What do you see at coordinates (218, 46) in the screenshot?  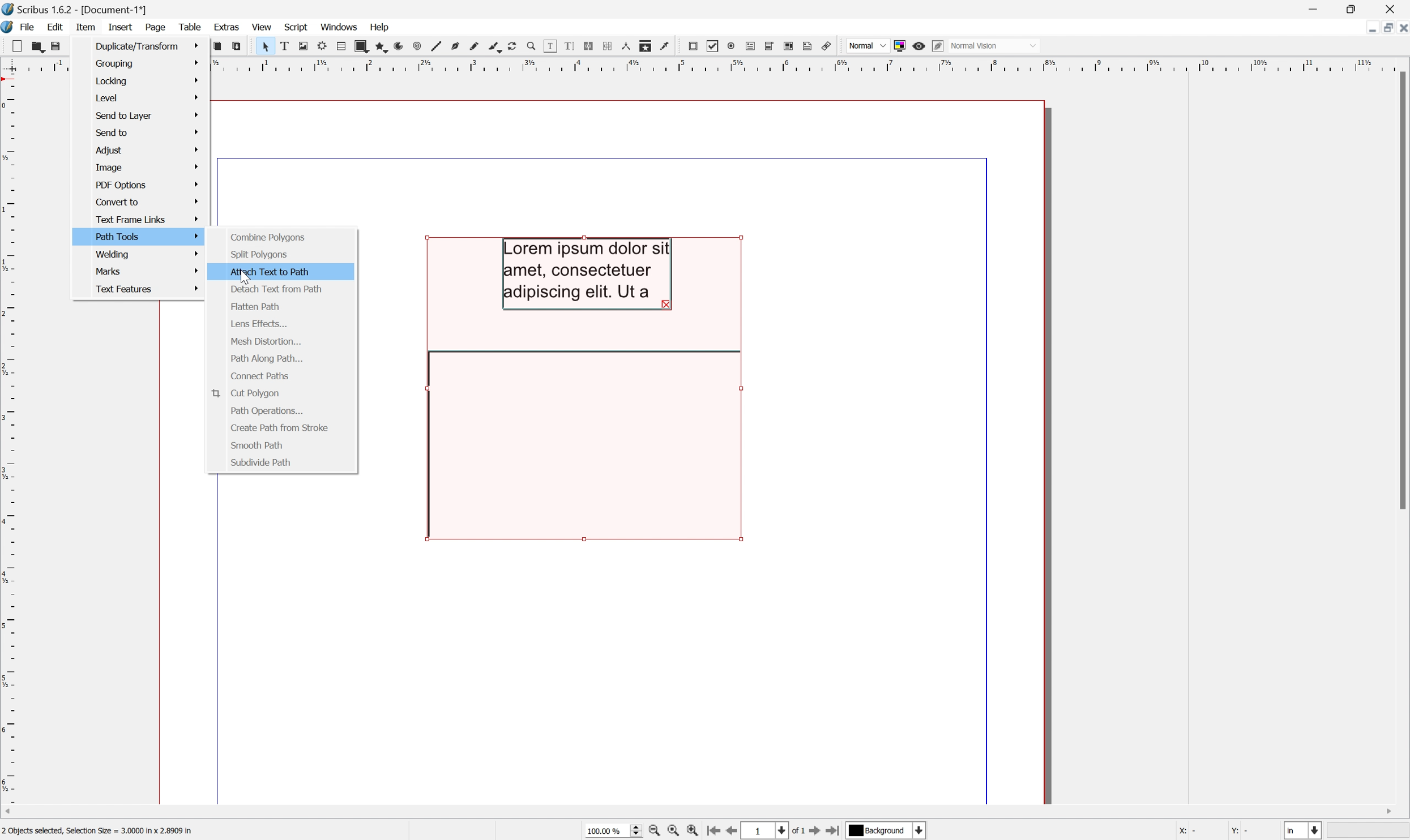 I see `Copy` at bounding box center [218, 46].